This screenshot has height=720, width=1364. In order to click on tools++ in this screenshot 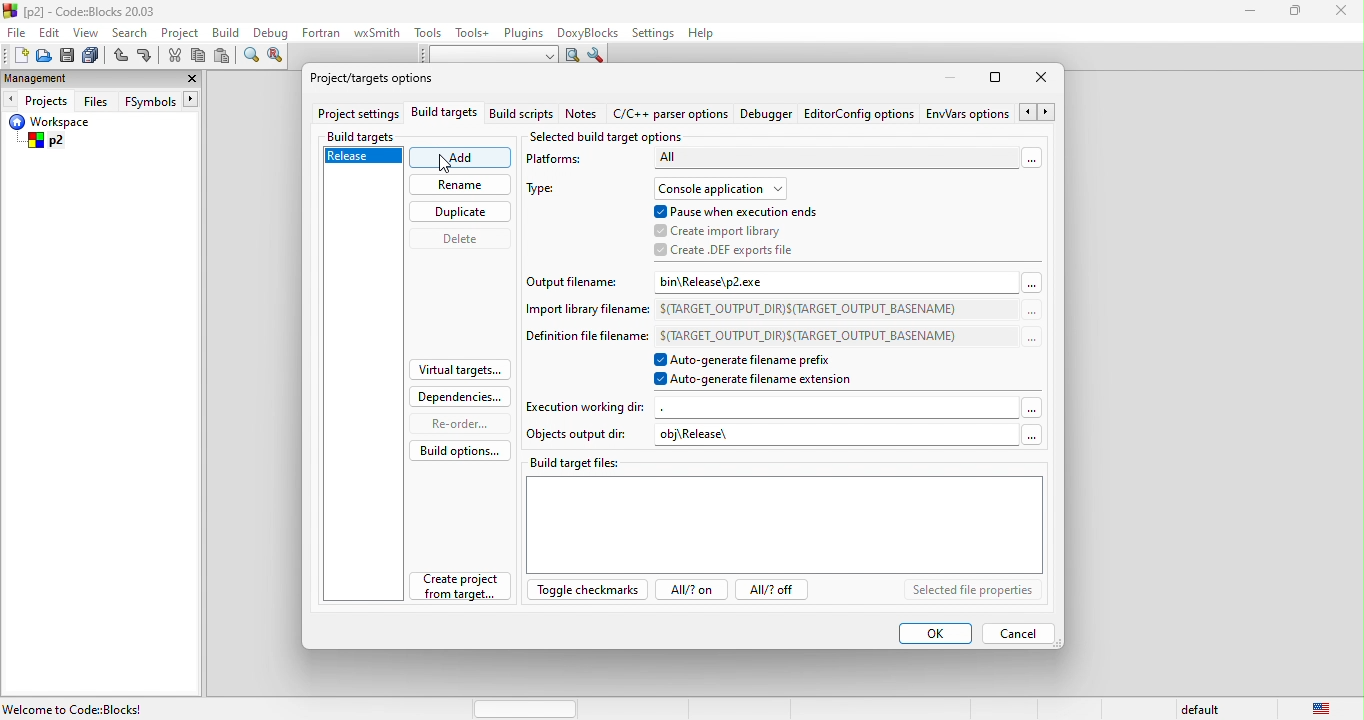, I will do `click(473, 32)`.